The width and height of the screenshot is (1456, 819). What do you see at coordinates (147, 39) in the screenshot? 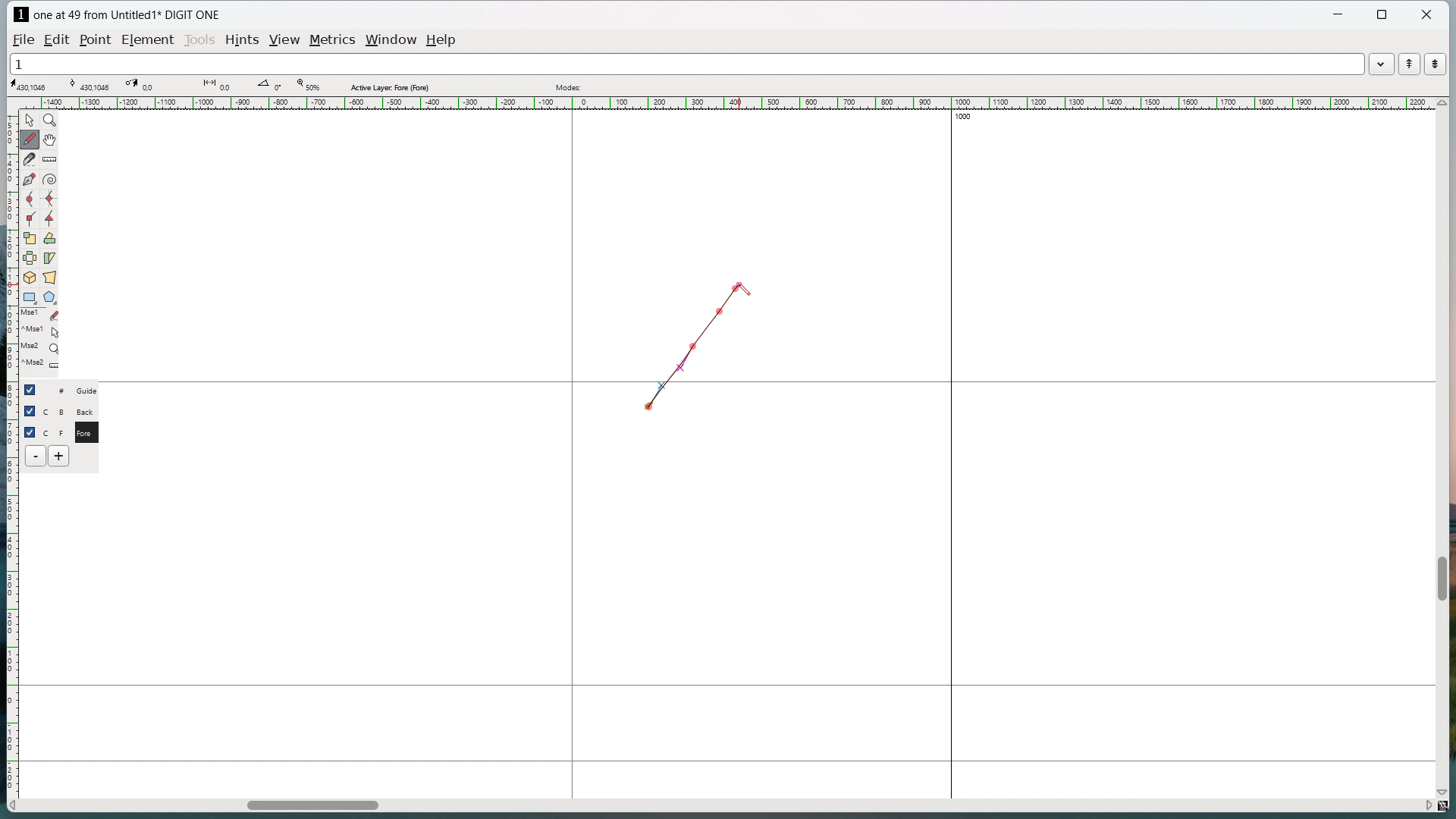
I see `element` at bounding box center [147, 39].